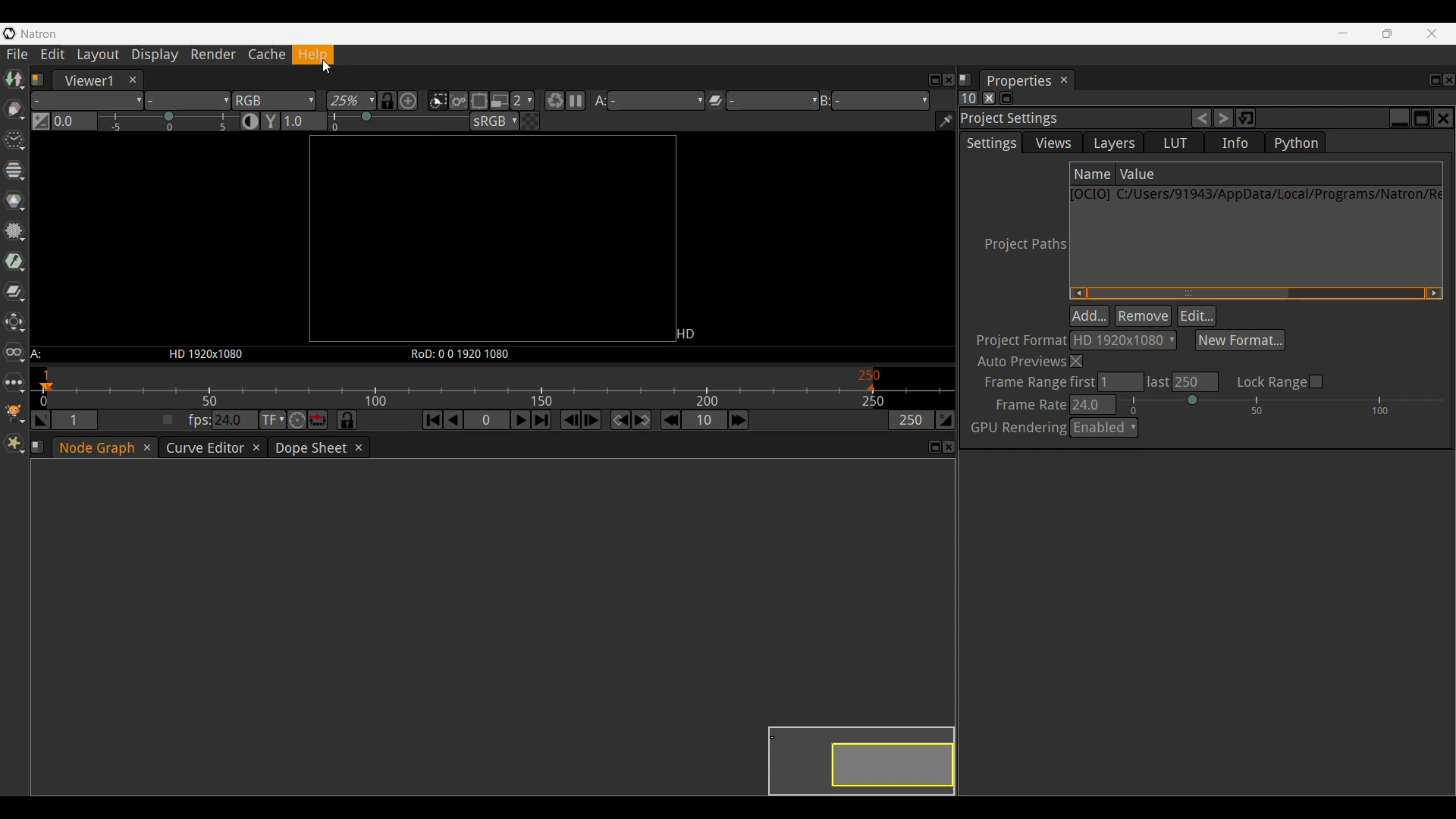 Image resolution: width=1456 pixels, height=819 pixels. What do you see at coordinates (38, 80) in the screenshot?
I see `Pane 1 information ` at bounding box center [38, 80].